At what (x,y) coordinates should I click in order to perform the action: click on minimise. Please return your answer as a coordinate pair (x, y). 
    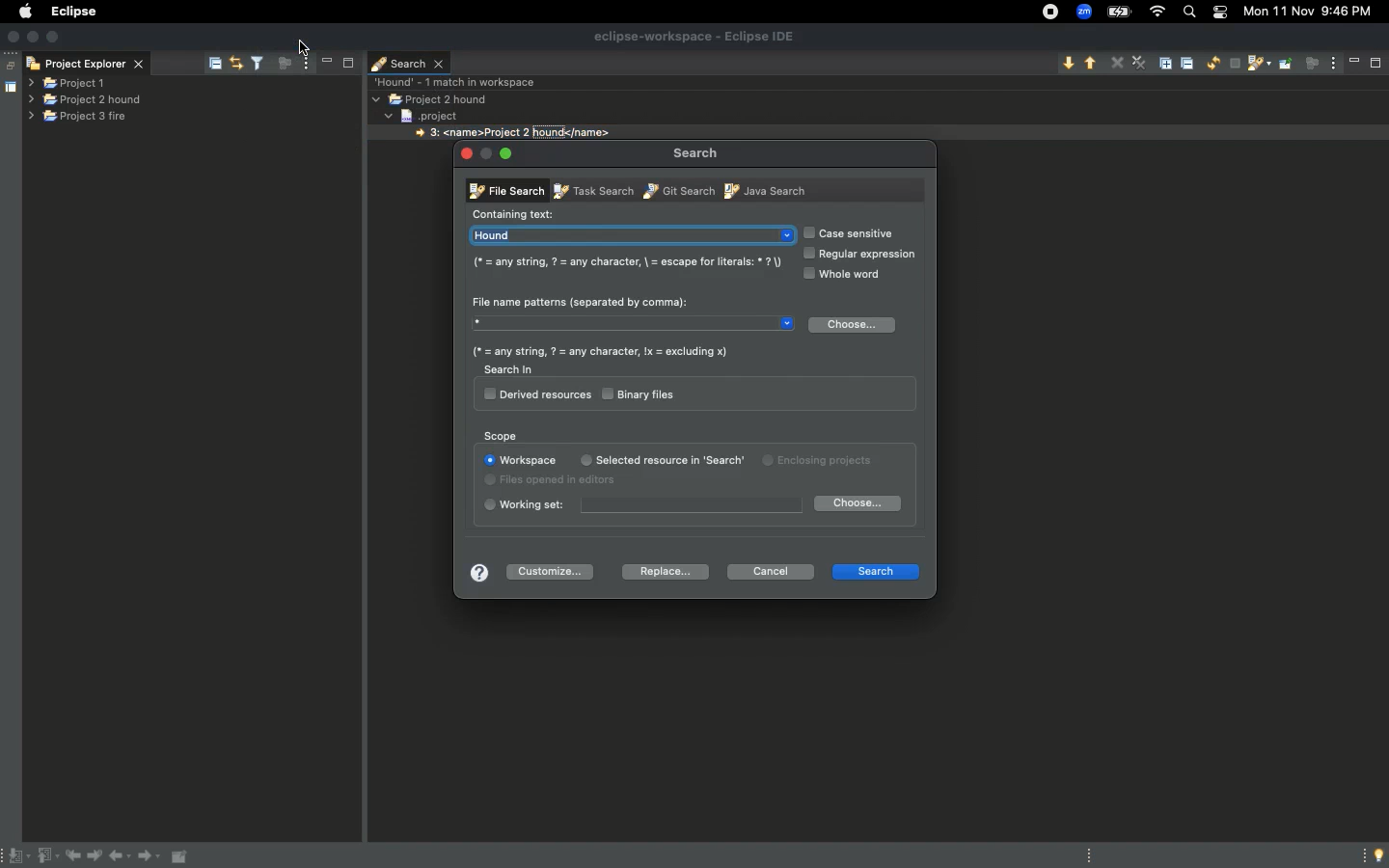
    Looking at the image, I should click on (325, 59).